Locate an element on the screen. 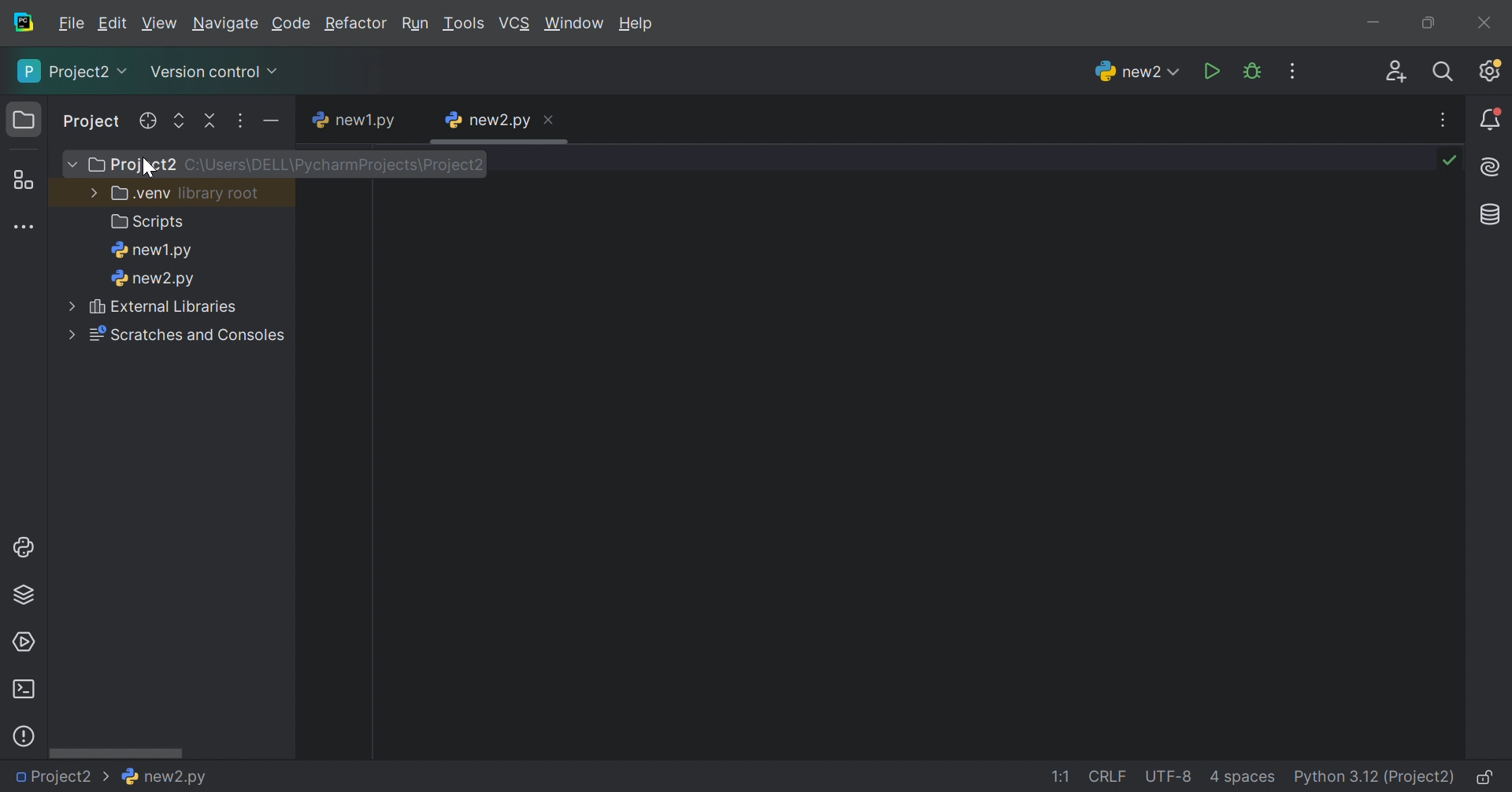 Image resolution: width=1512 pixels, height=792 pixels. No problems found is located at coordinates (1449, 160).